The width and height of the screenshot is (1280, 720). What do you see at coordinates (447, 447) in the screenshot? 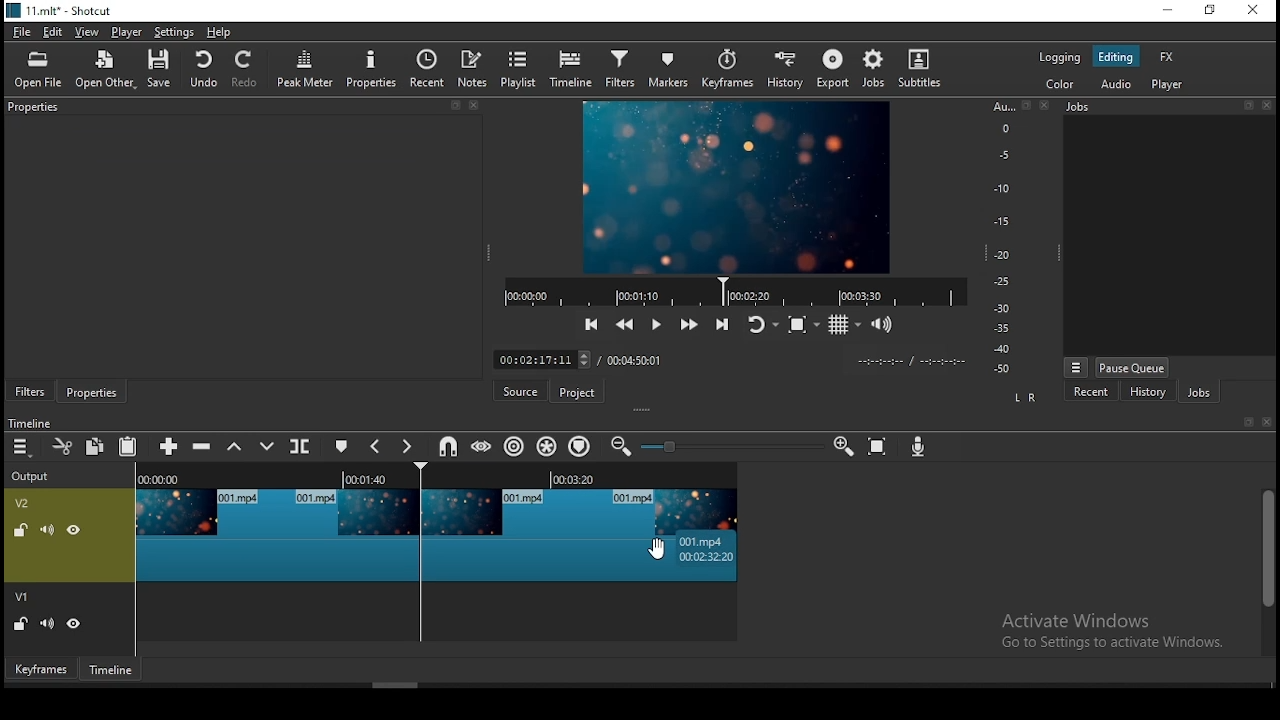
I see `snap` at bounding box center [447, 447].